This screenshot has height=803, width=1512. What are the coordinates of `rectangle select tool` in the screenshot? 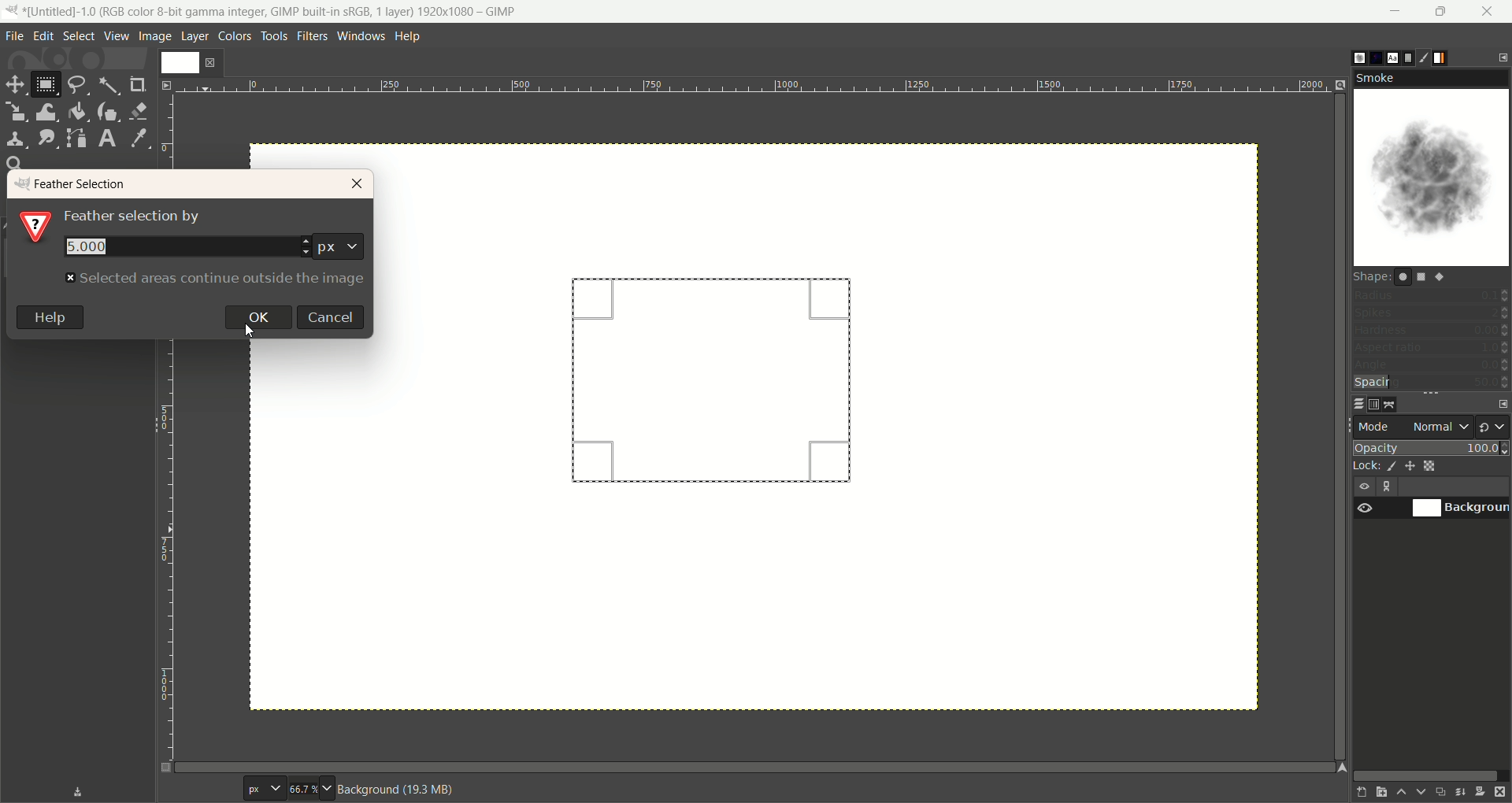 It's located at (46, 83).